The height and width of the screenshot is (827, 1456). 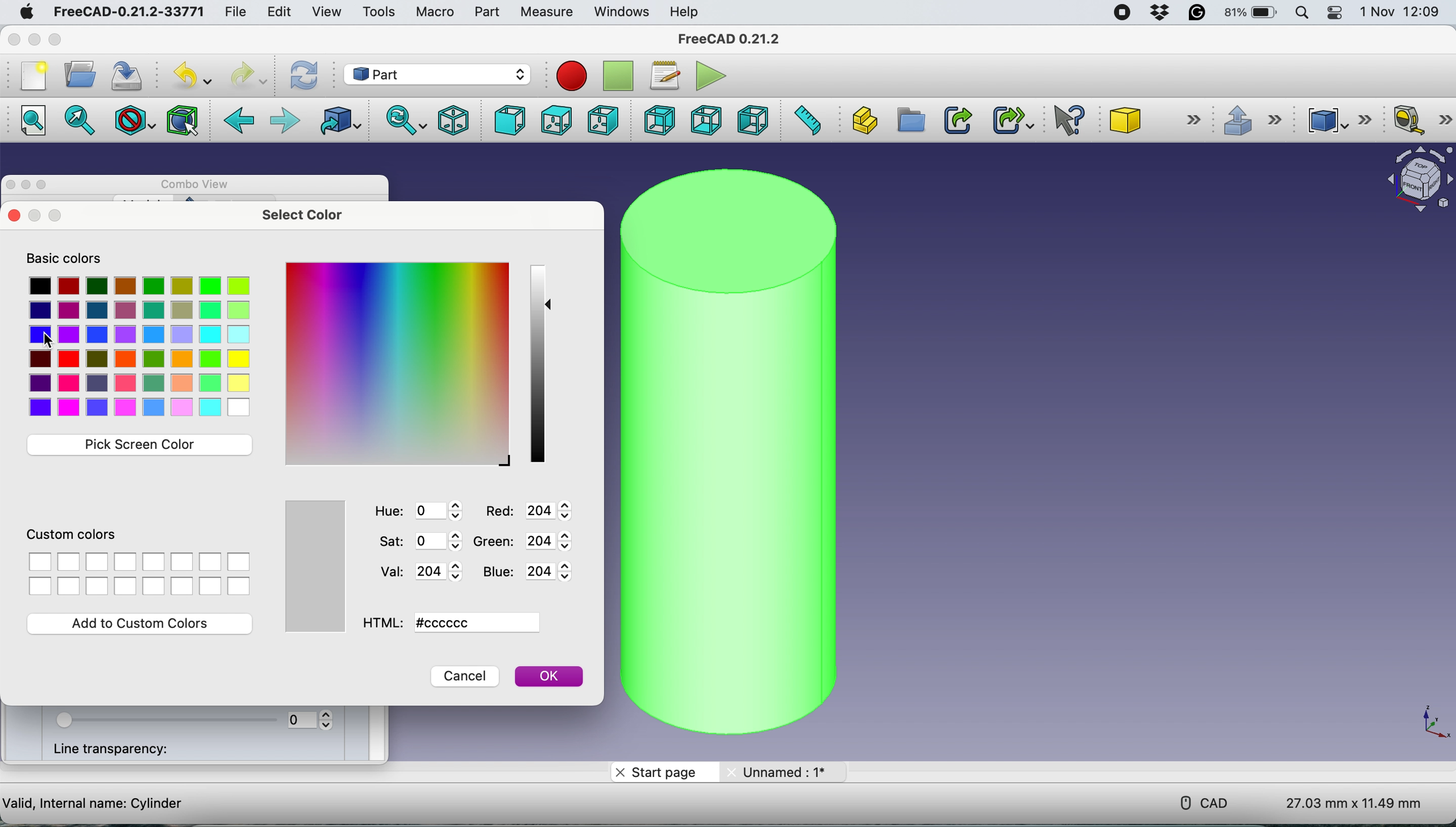 I want to click on date and time, so click(x=1400, y=12).